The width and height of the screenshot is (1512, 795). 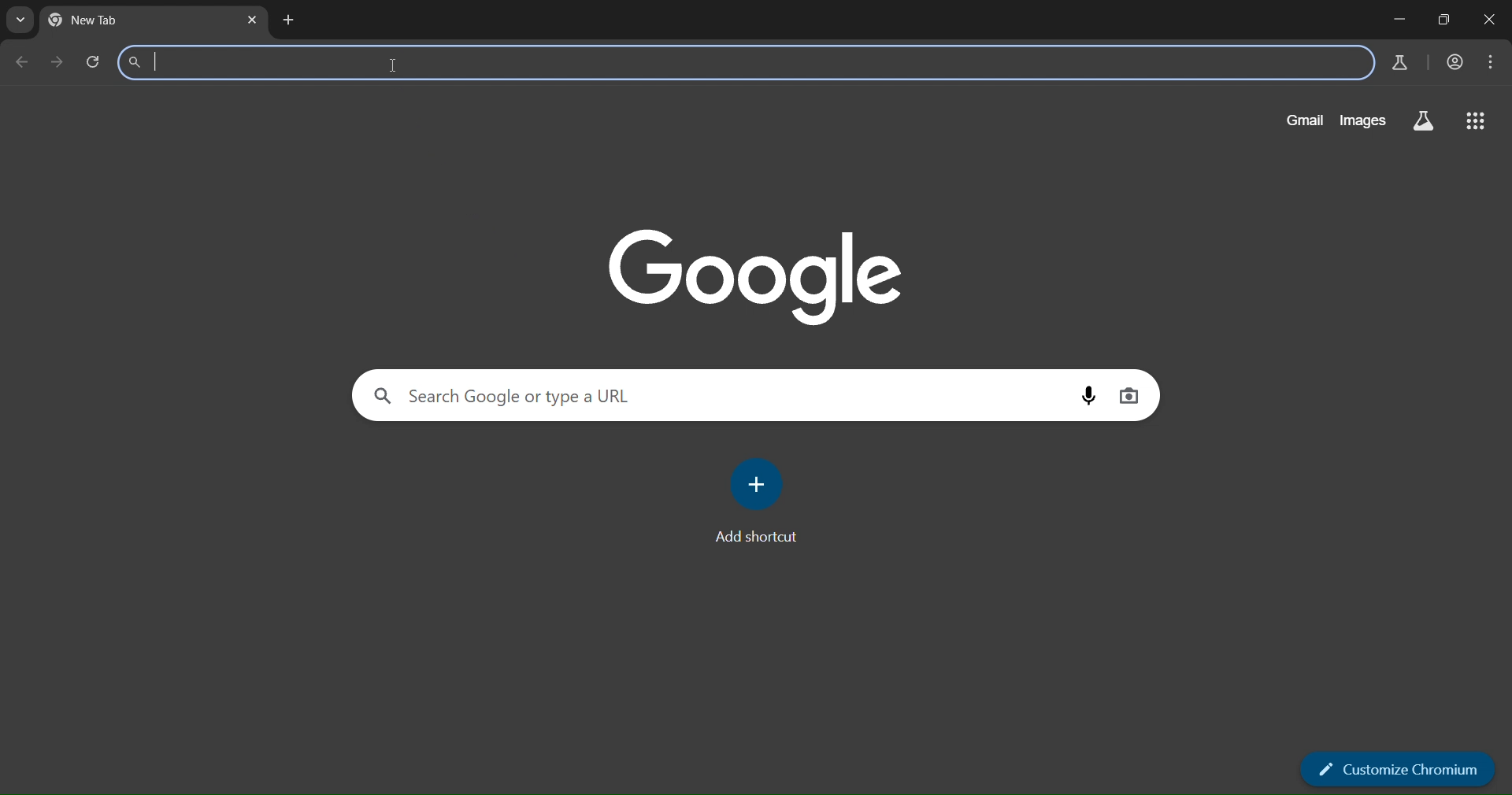 What do you see at coordinates (1443, 20) in the screenshot?
I see `restore down` at bounding box center [1443, 20].